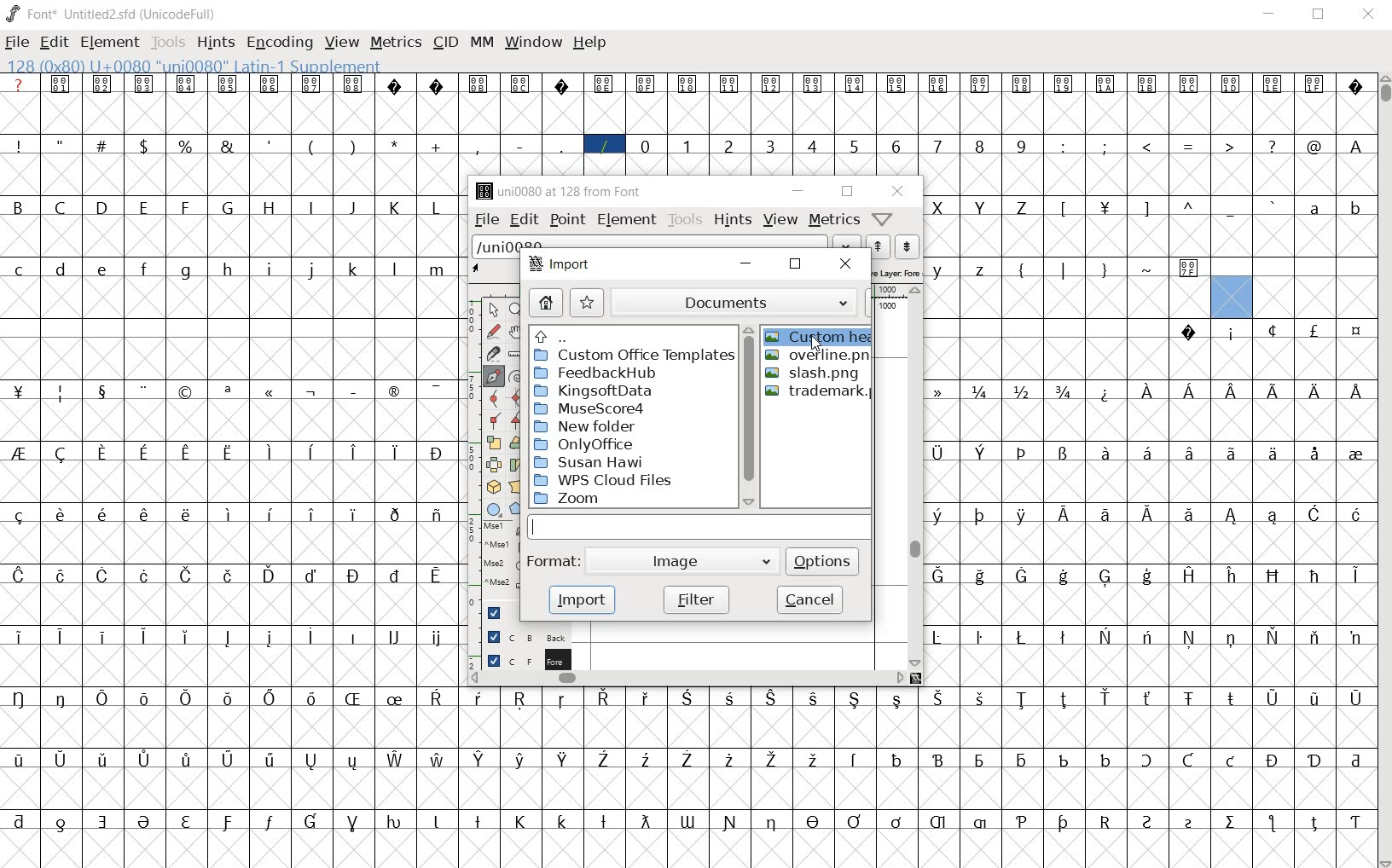  Describe the element at coordinates (311, 206) in the screenshot. I see `glyph` at that location.